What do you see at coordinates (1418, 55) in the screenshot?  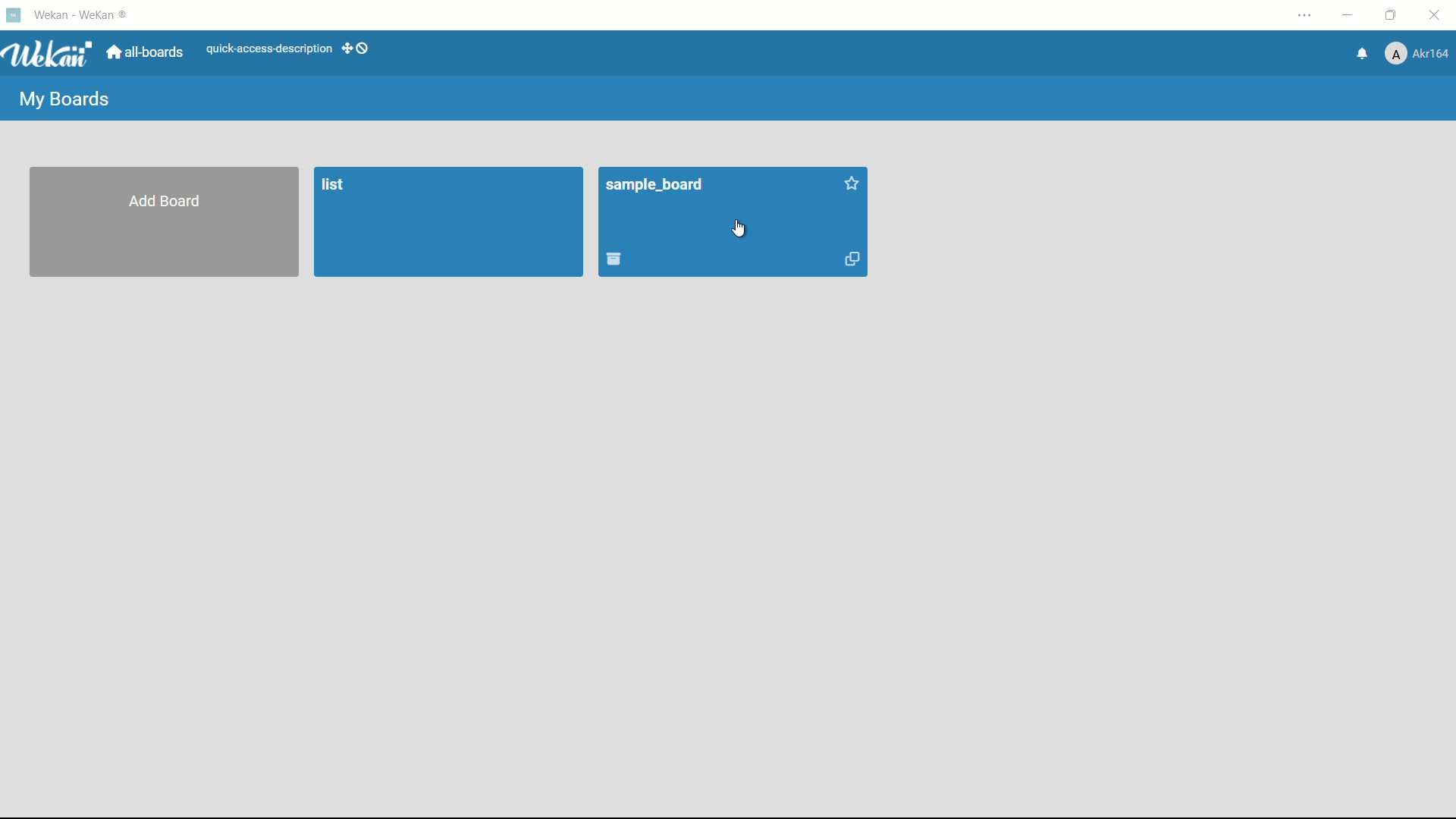 I see `profile` at bounding box center [1418, 55].